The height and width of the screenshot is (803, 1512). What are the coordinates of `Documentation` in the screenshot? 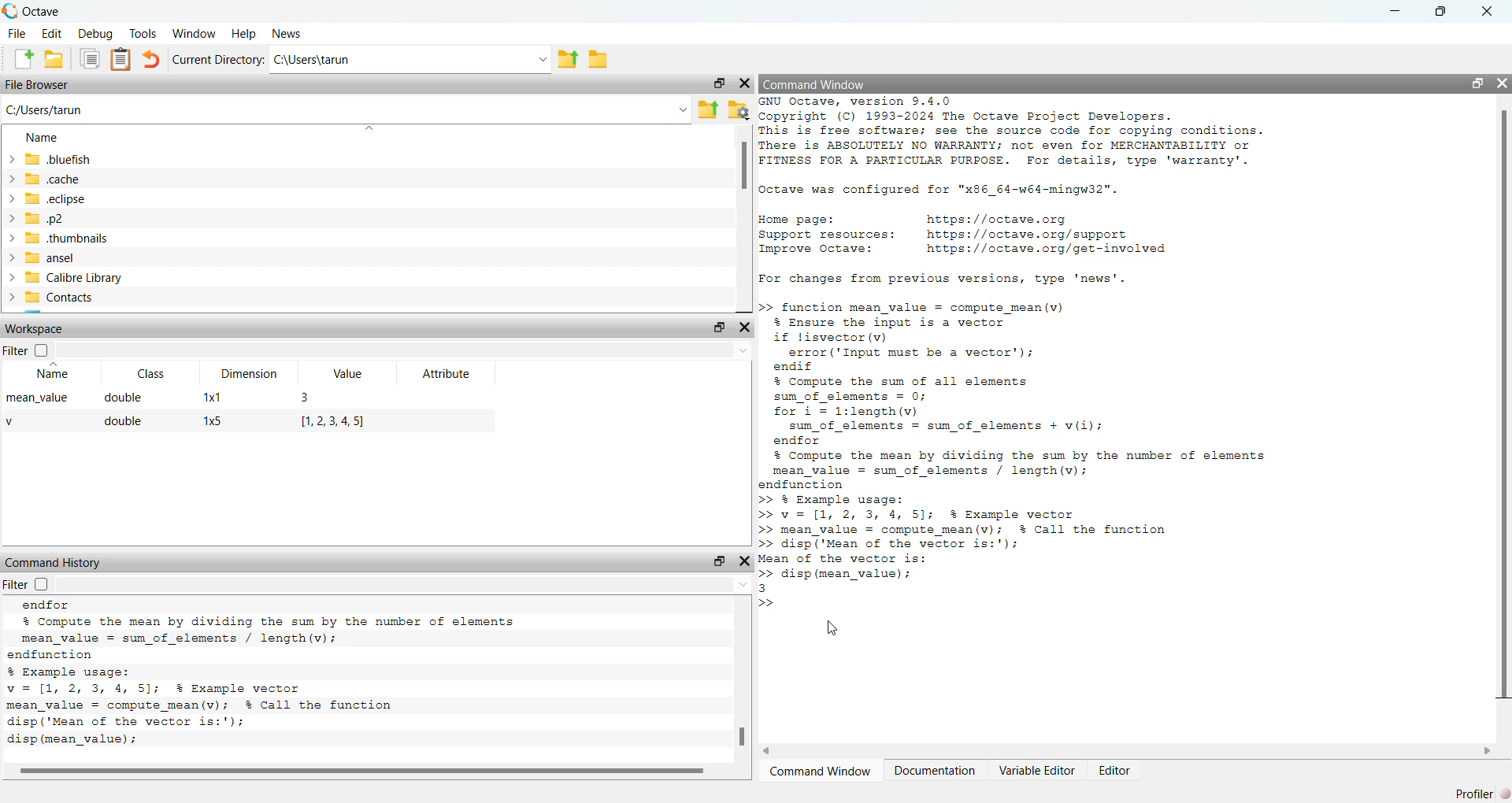 It's located at (936, 770).